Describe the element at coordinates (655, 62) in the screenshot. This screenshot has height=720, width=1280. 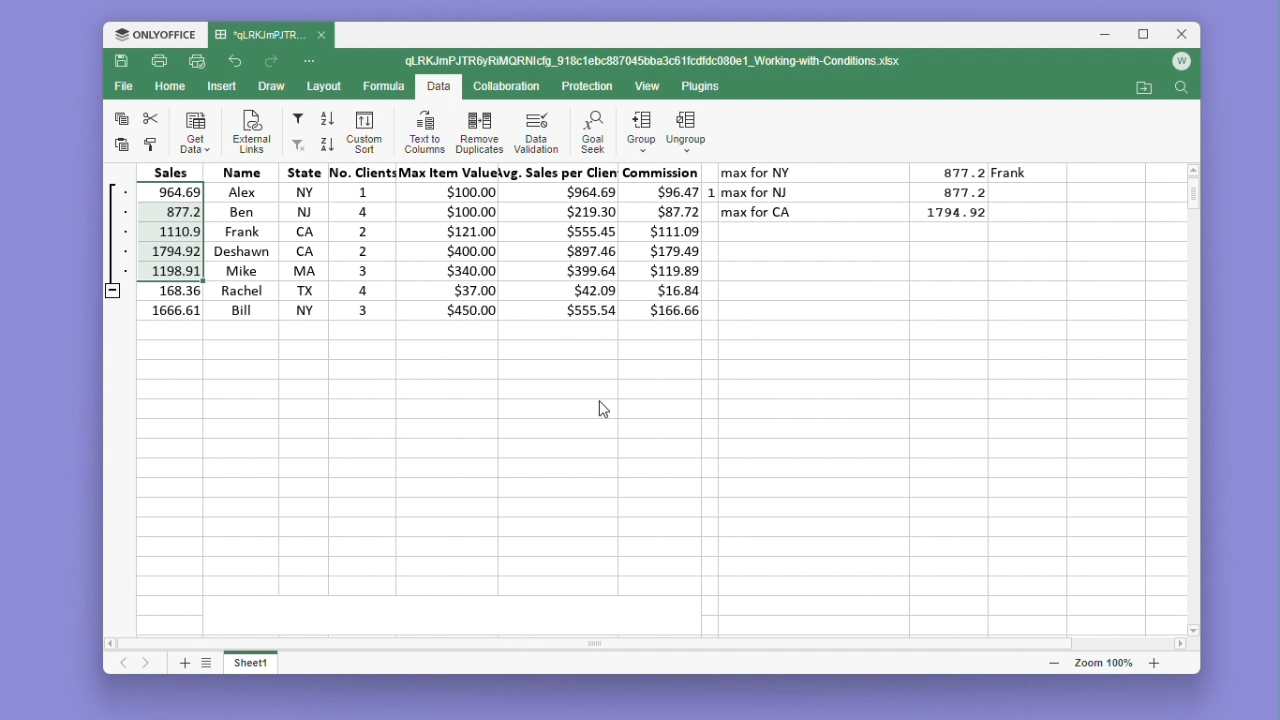
I see `File name` at that location.